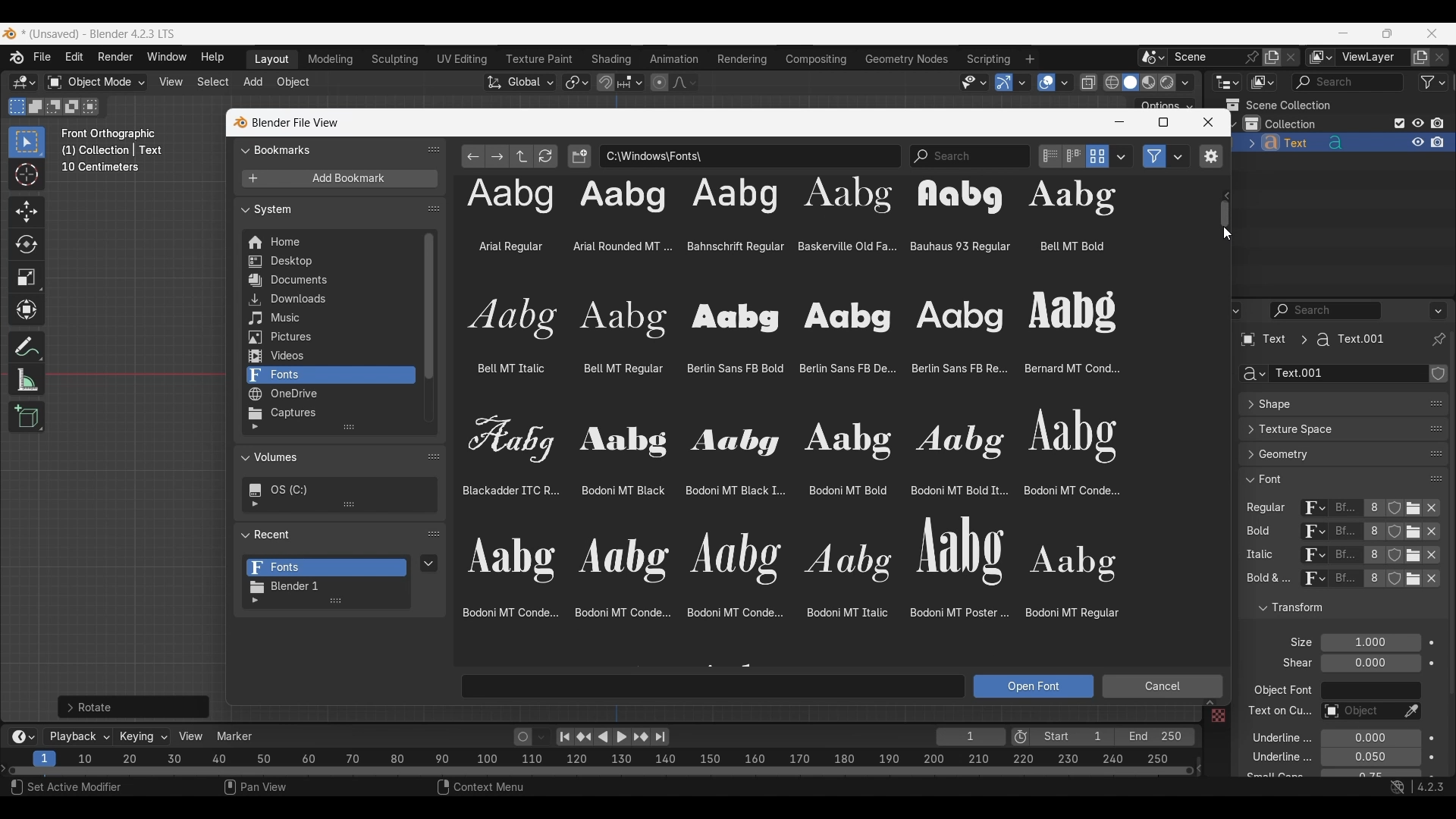 This screenshot has width=1456, height=819. Describe the element at coordinates (1328, 454) in the screenshot. I see `Click to expand Geometry` at that location.